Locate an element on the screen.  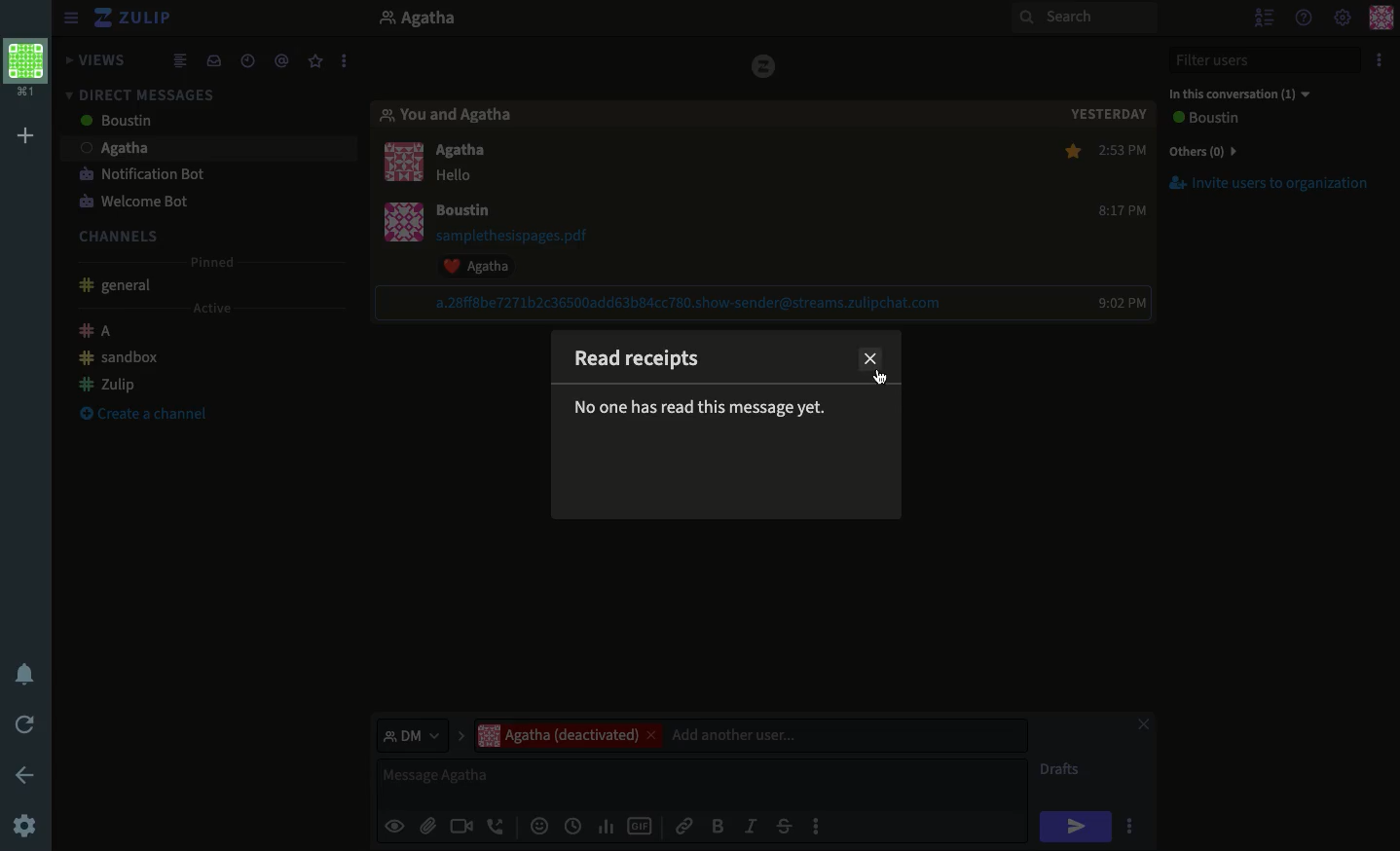
Close is located at coordinates (1143, 726).